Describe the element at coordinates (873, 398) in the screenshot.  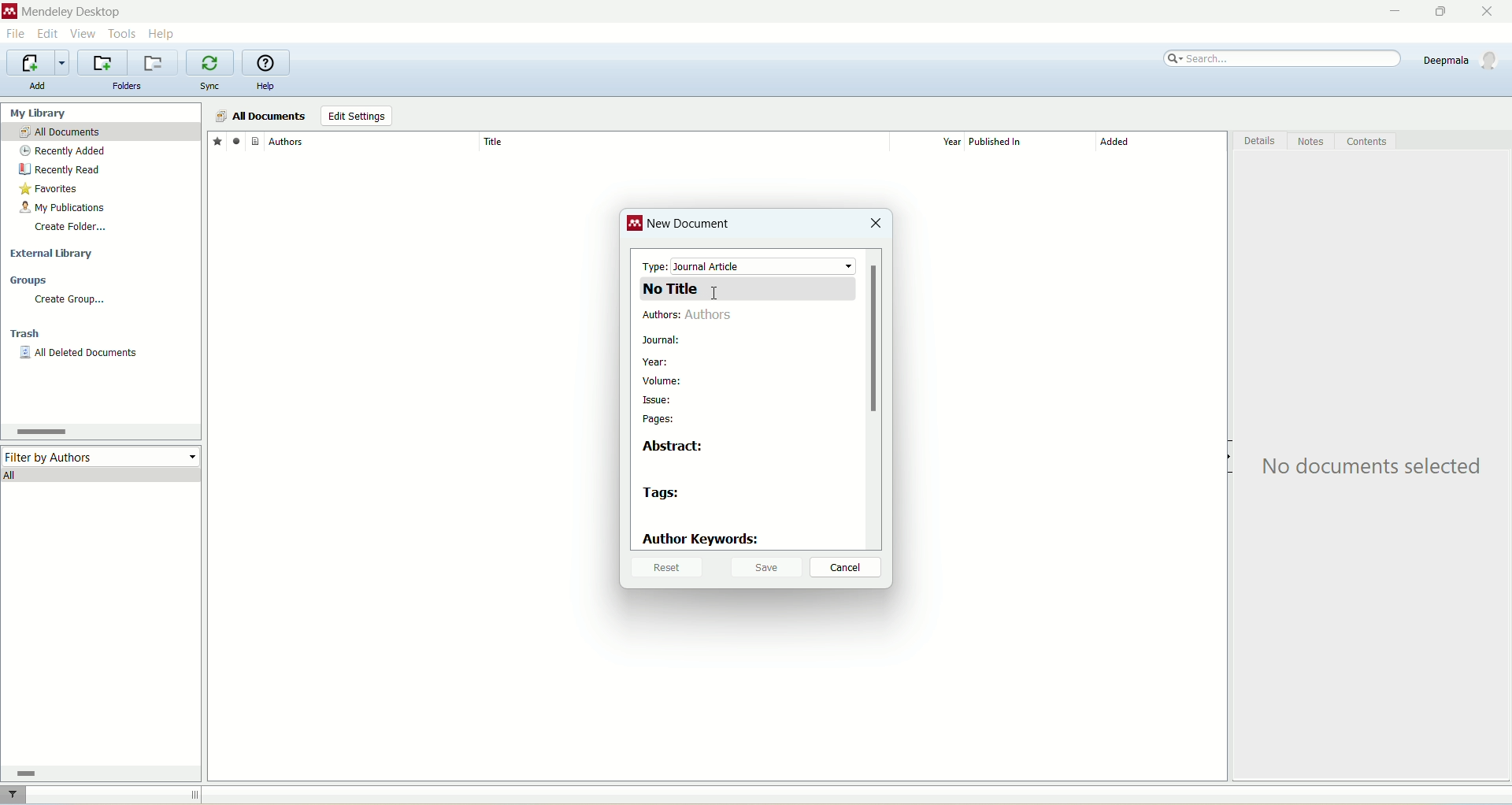
I see `vertical scroll bar` at that location.